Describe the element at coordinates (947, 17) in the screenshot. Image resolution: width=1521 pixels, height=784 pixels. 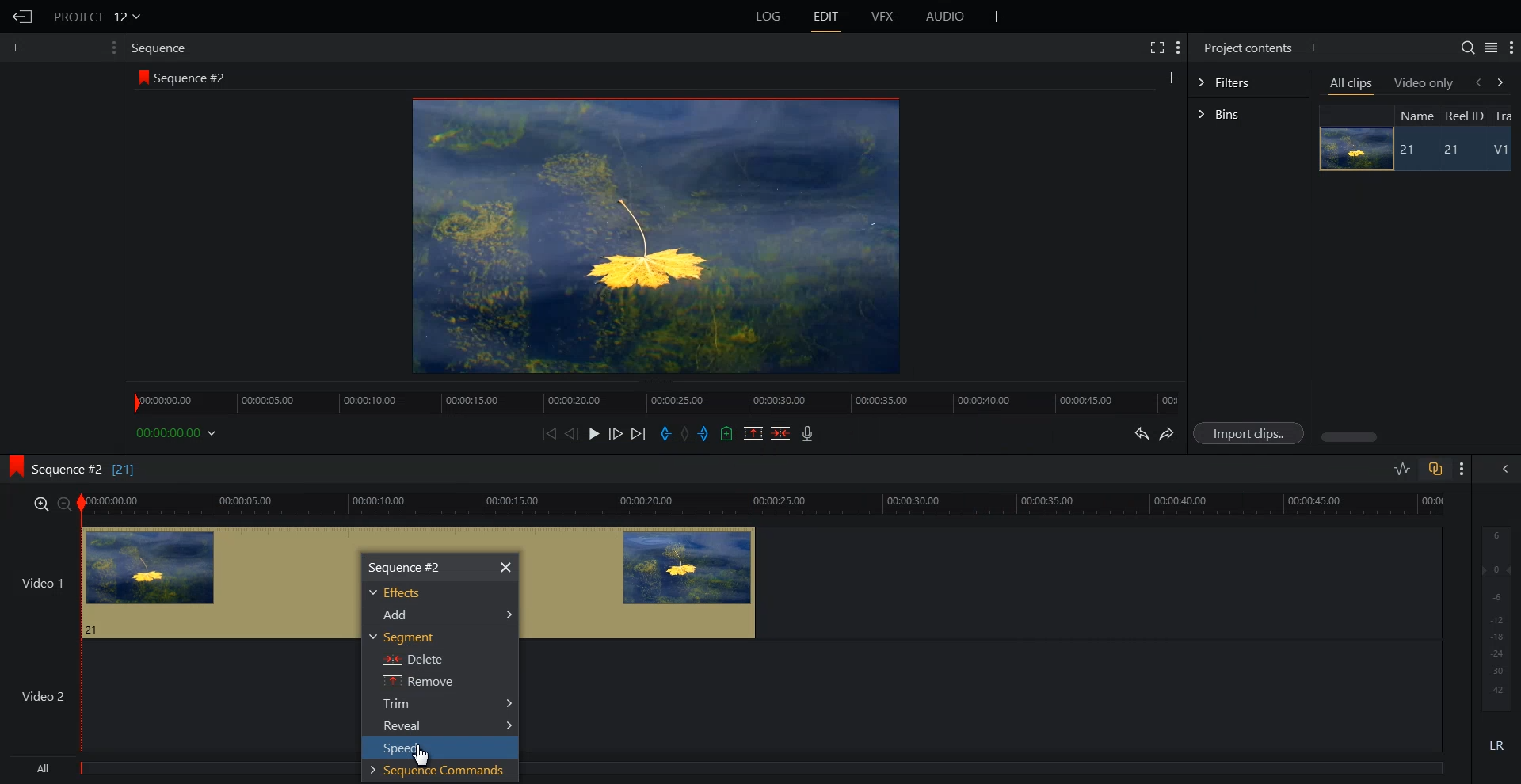
I see `AUDIO` at that location.